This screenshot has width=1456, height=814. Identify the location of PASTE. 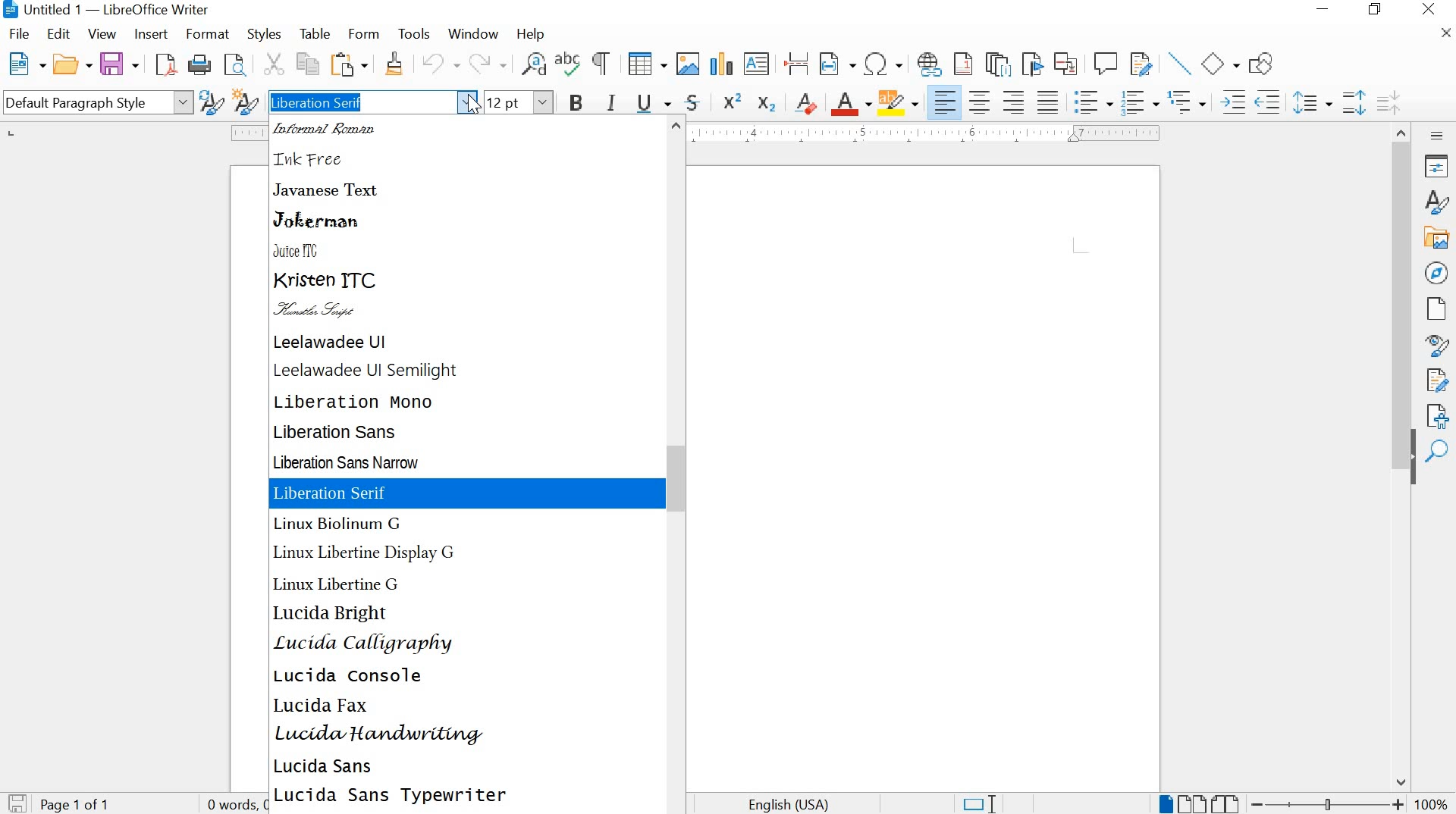
(350, 64).